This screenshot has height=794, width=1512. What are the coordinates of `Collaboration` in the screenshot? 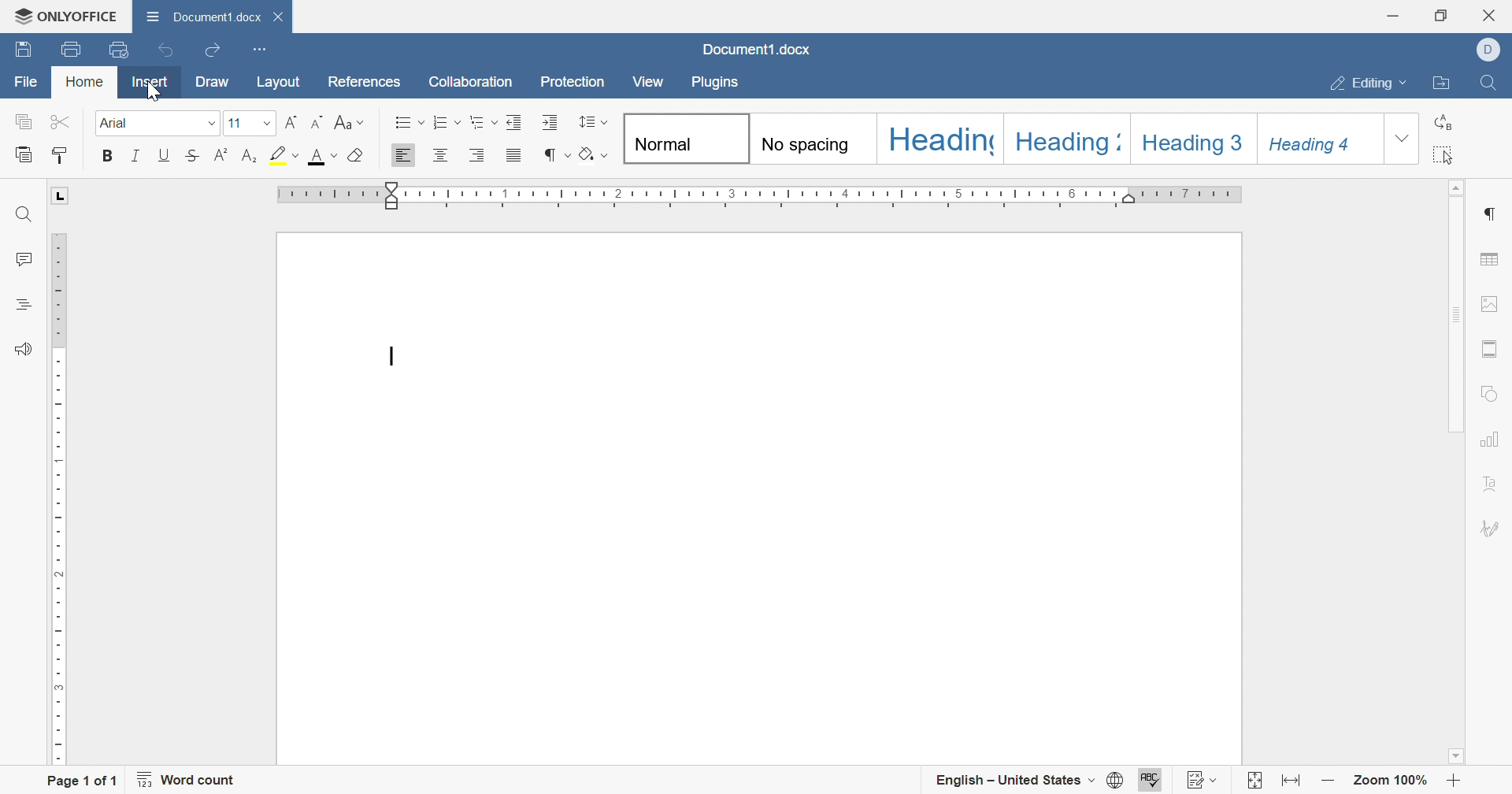 It's located at (469, 82).